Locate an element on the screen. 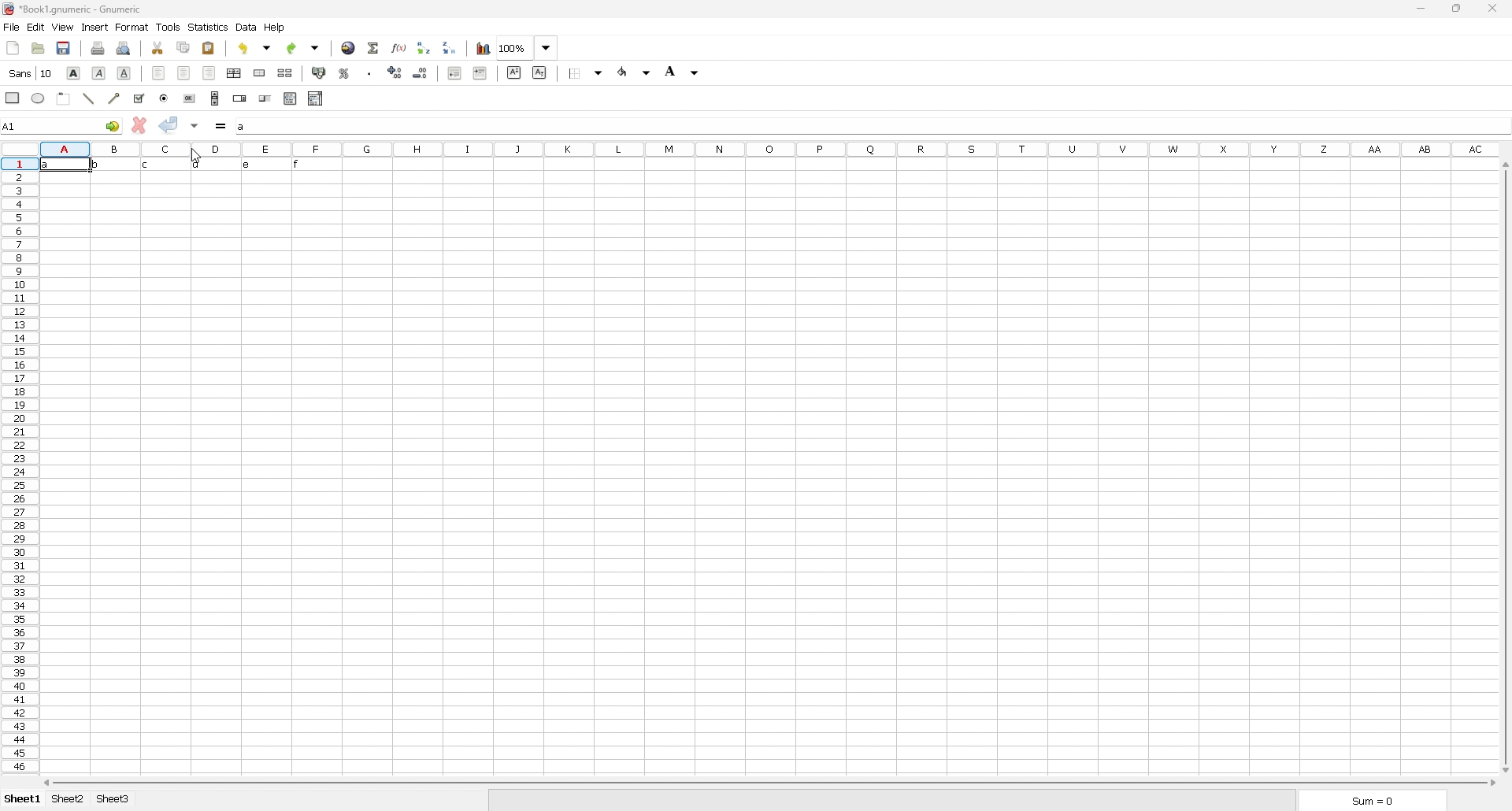 Image resolution: width=1512 pixels, height=811 pixels. help is located at coordinates (276, 27).